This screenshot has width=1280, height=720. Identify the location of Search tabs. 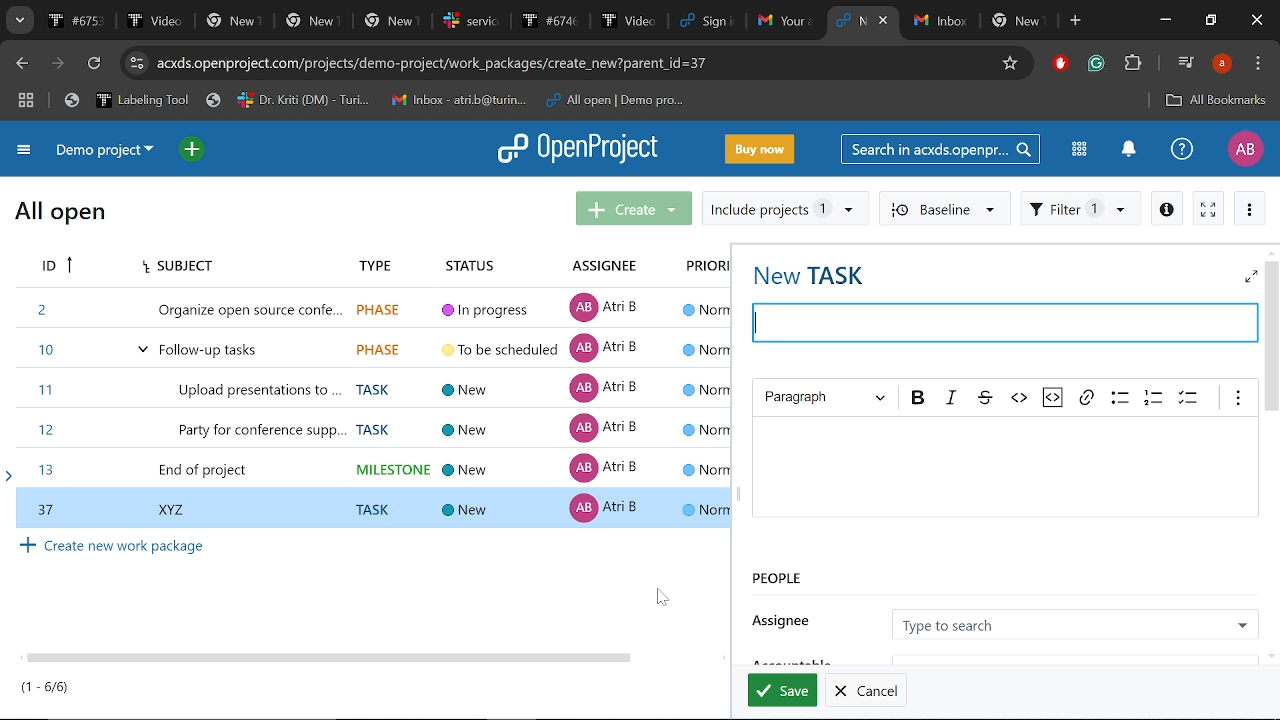
(850, 20).